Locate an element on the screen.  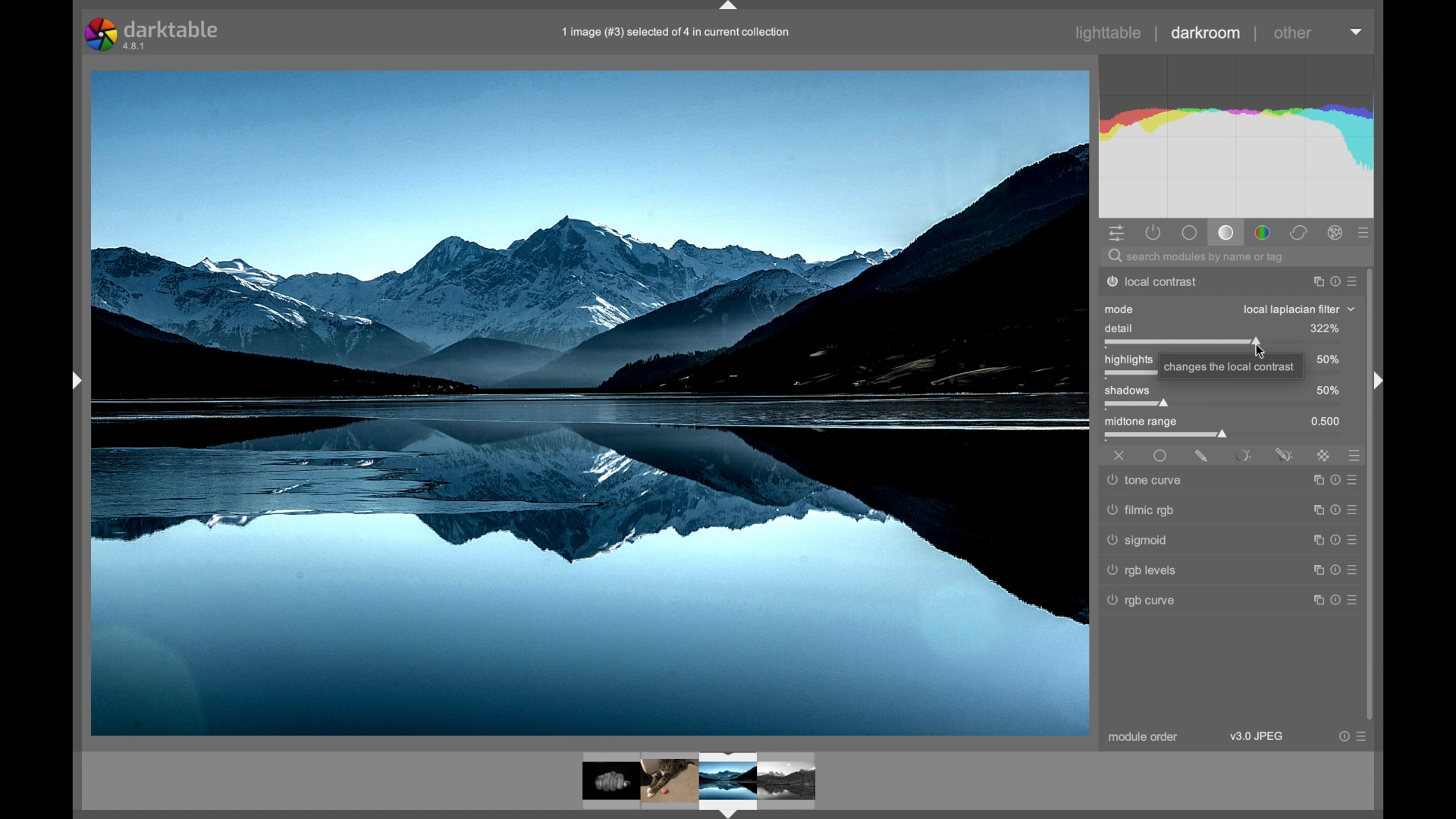
color is located at coordinates (1262, 233).